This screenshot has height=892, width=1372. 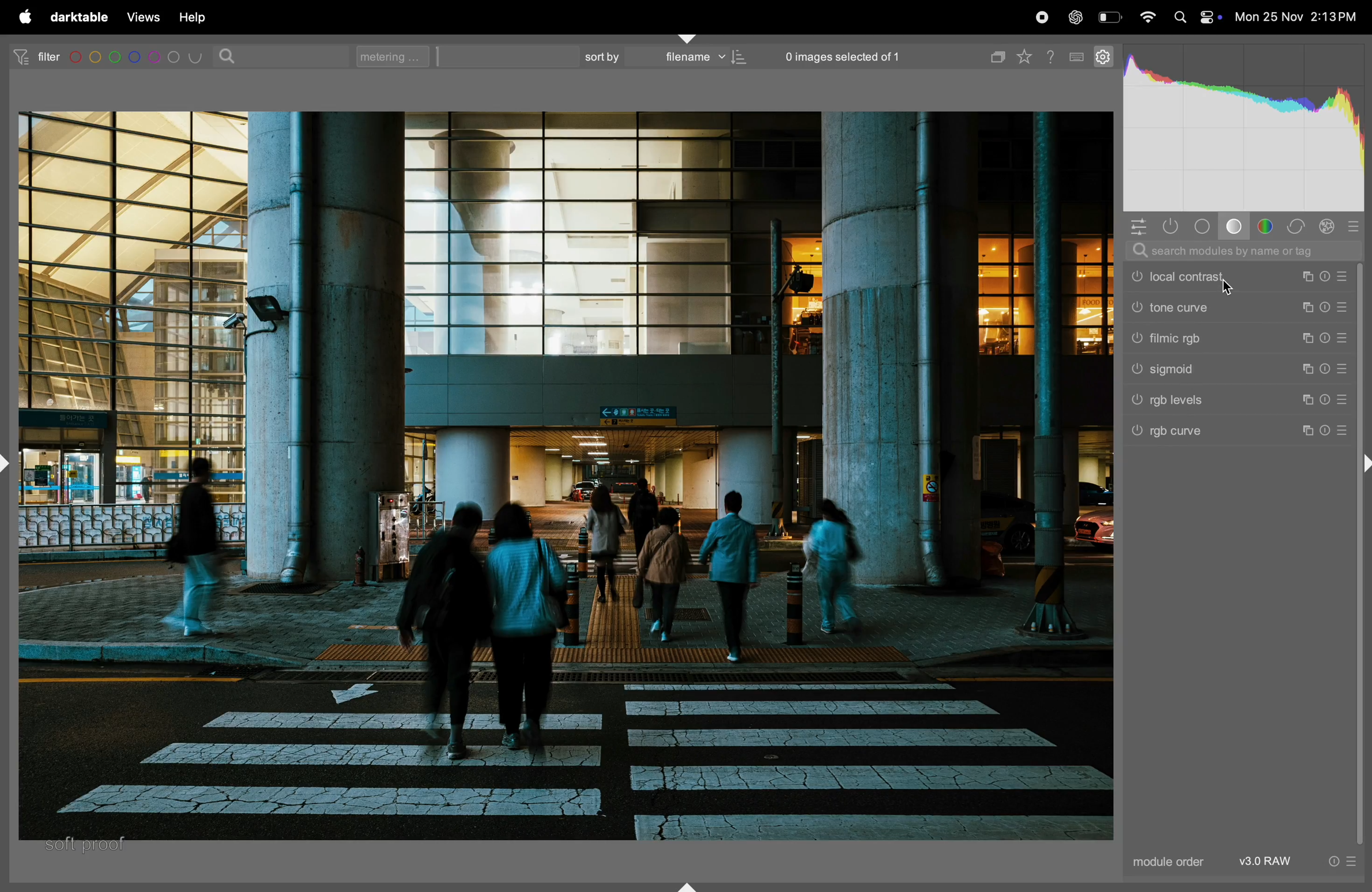 I want to click on chatgpt, so click(x=1075, y=16).